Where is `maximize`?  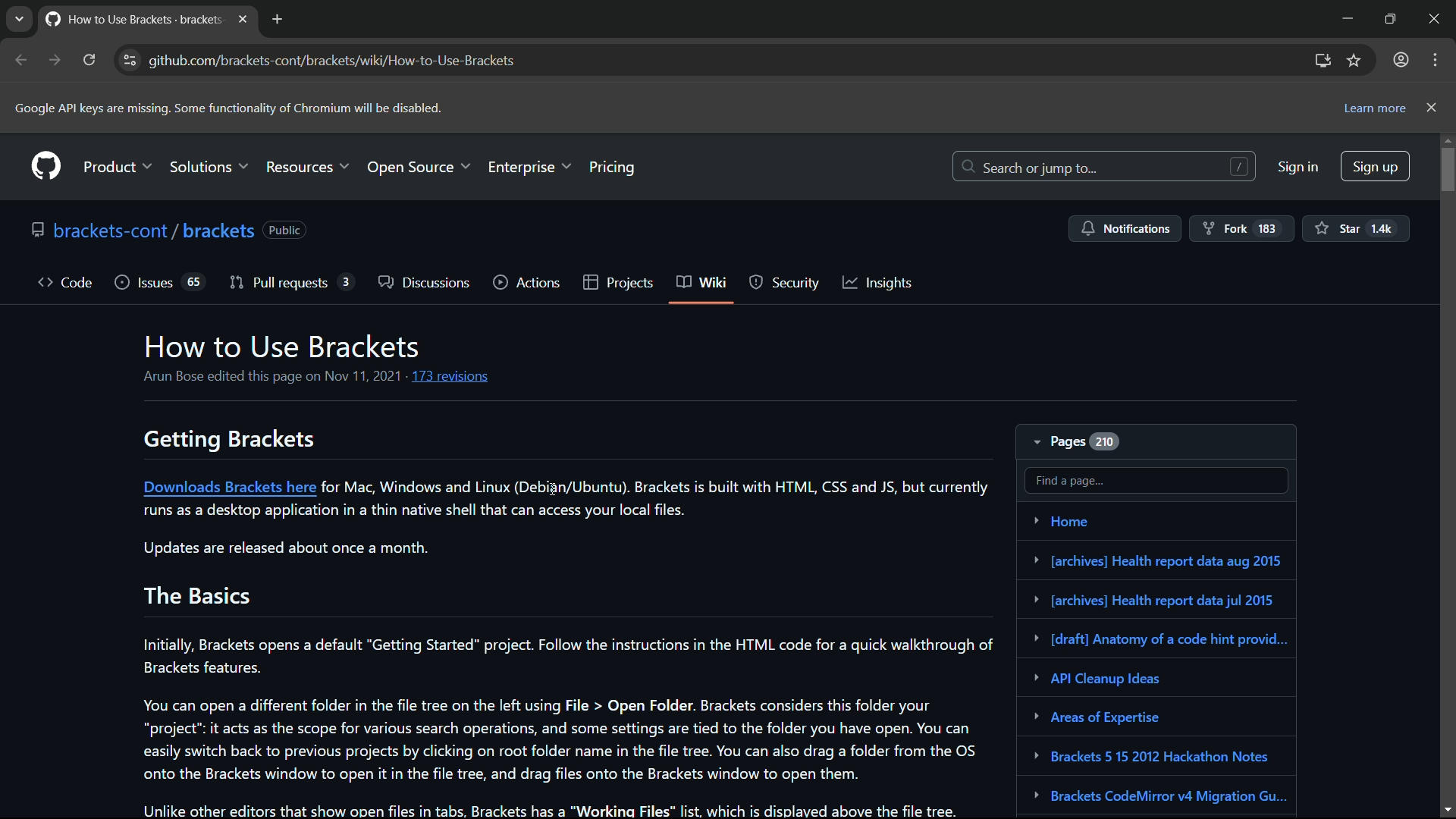 maximize is located at coordinates (1389, 17).